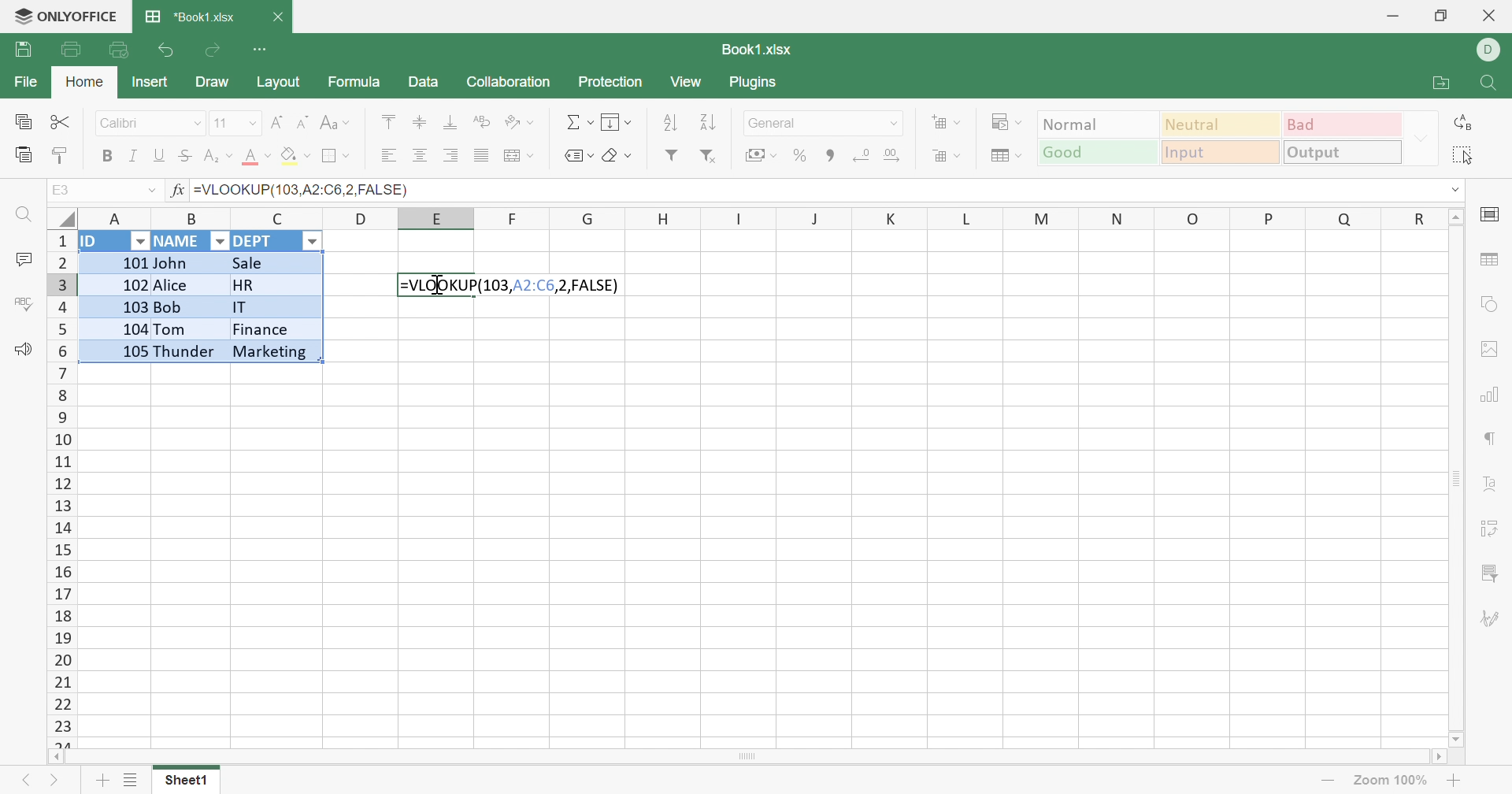 This screenshot has height=794, width=1512. I want to click on Normal, so click(1102, 126).